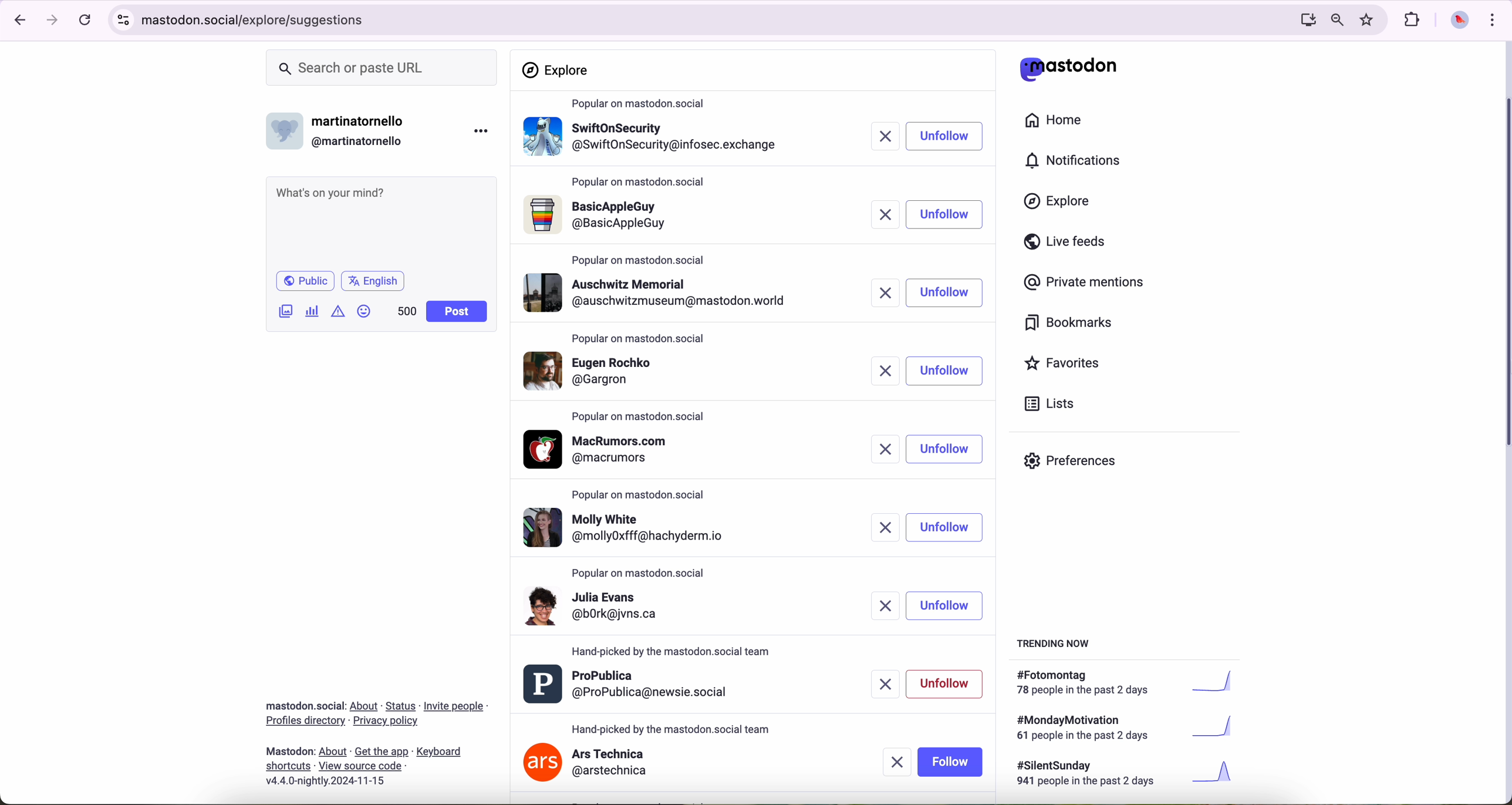 The height and width of the screenshot is (805, 1512). What do you see at coordinates (16, 19) in the screenshot?
I see `navigate back` at bounding box center [16, 19].